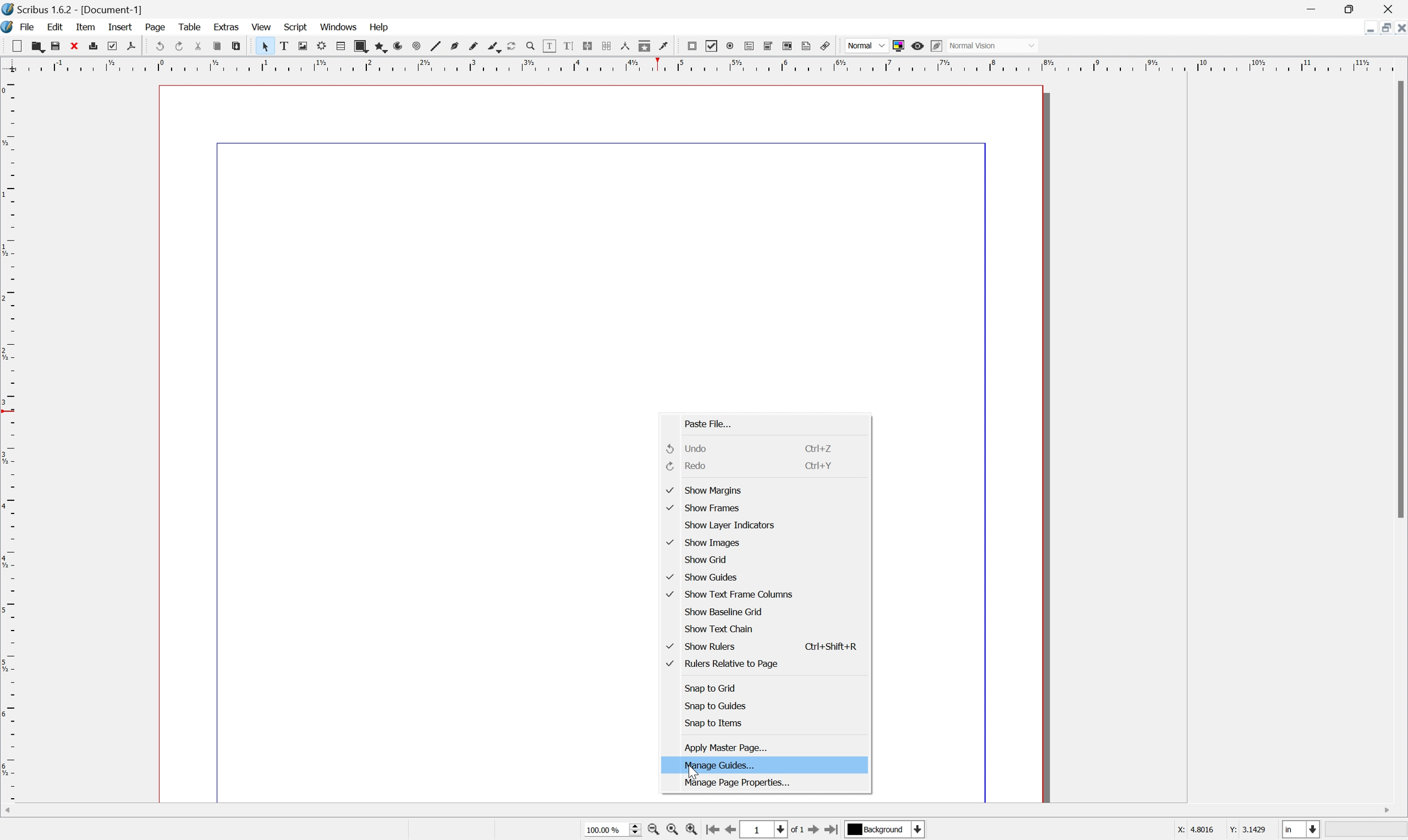 This screenshot has height=840, width=1408. Describe the element at coordinates (131, 47) in the screenshot. I see `export directly as PDF` at that location.